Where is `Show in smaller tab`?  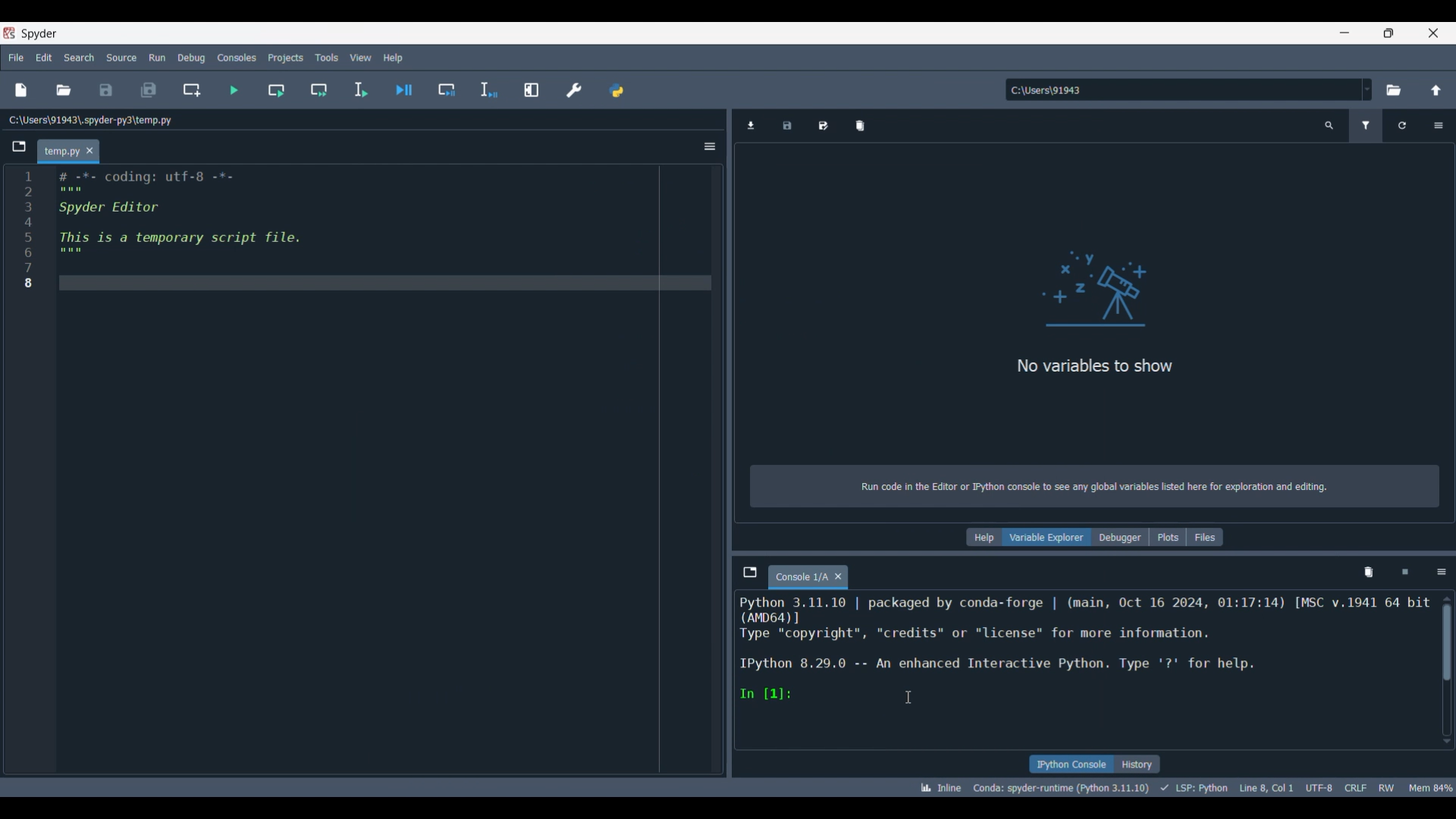
Show in smaller tab is located at coordinates (1389, 33).